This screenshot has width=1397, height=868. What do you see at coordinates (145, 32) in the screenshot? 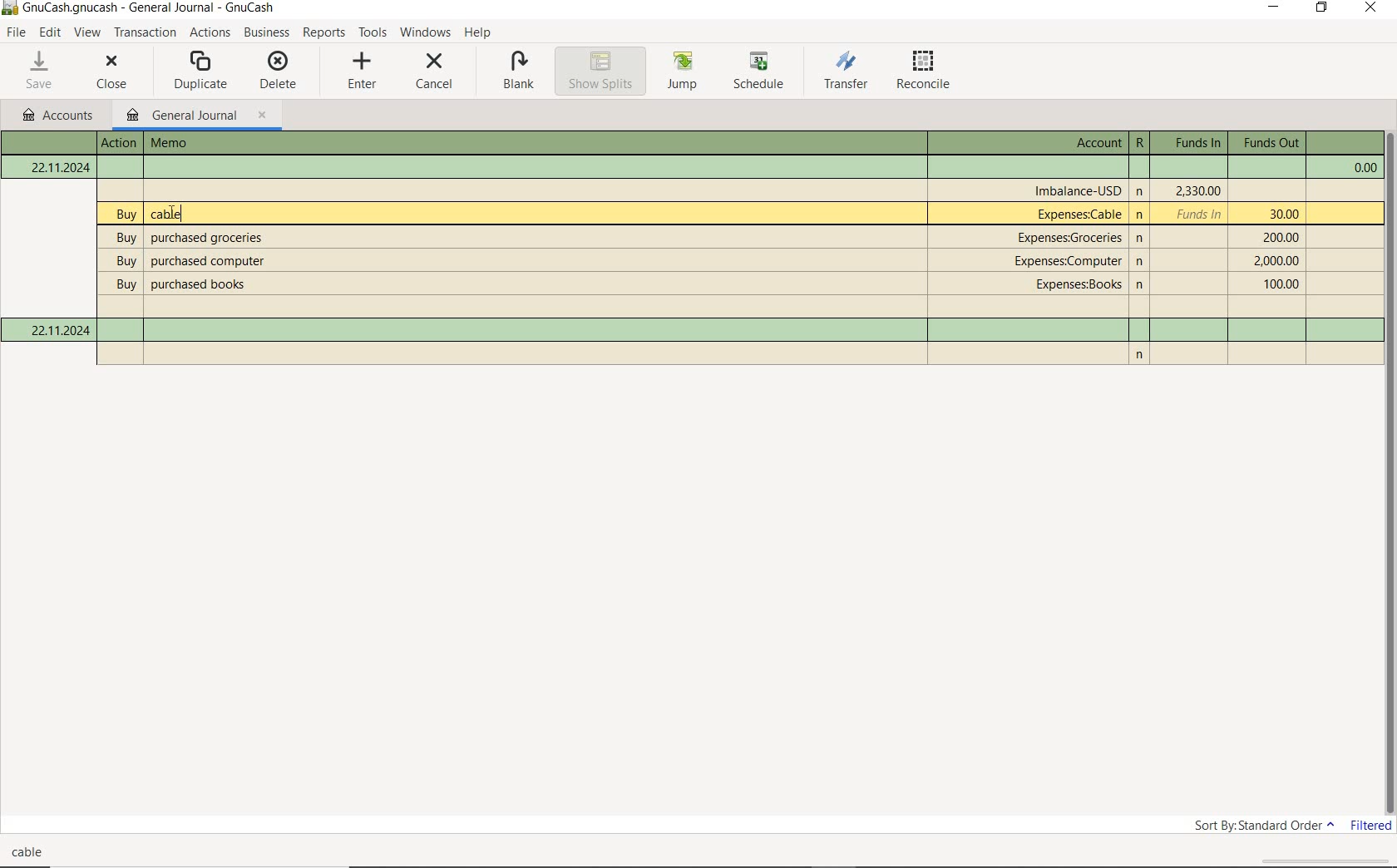
I see `transaction` at bounding box center [145, 32].